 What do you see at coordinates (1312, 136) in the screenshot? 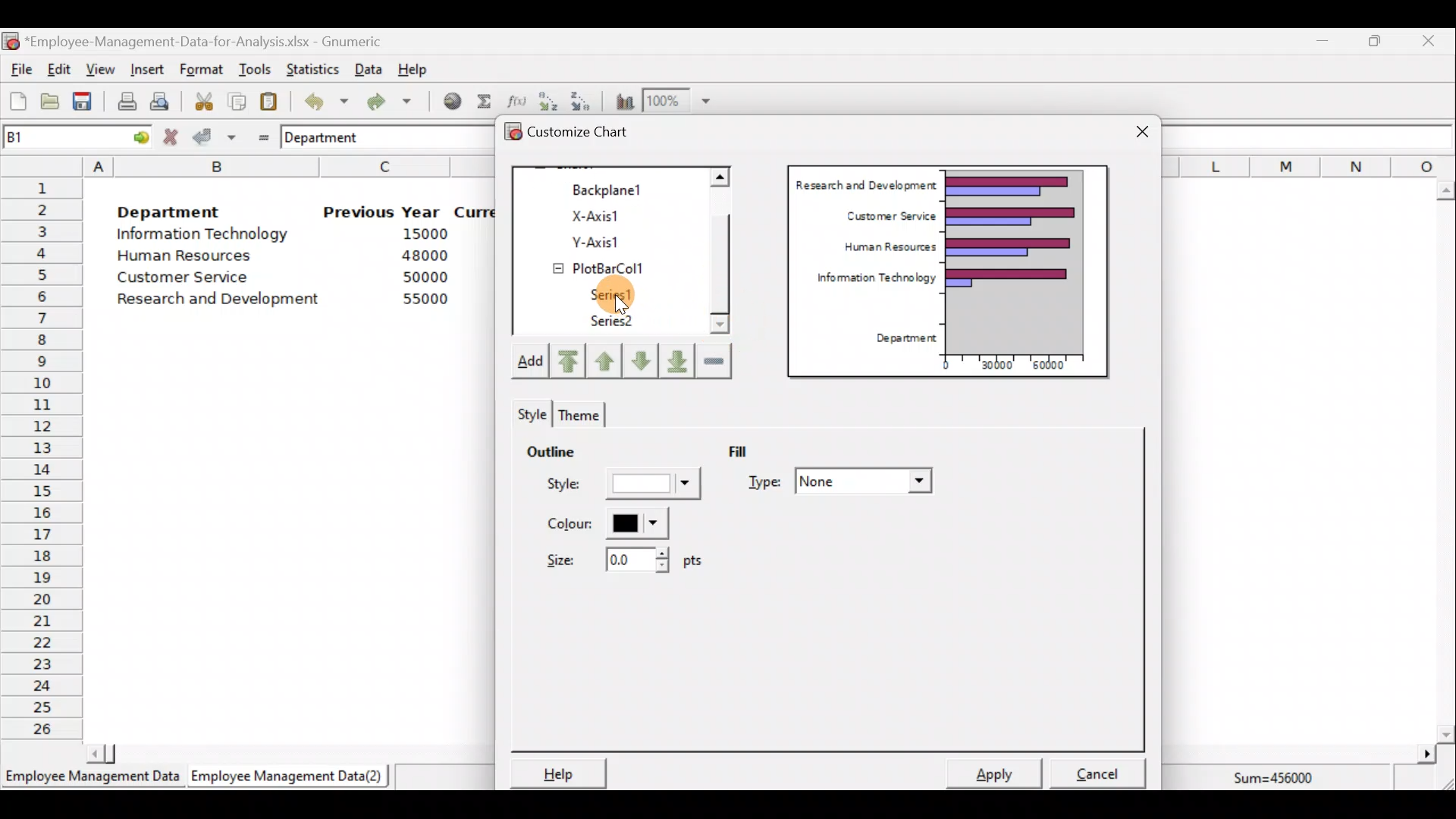
I see `Formula bar` at bounding box center [1312, 136].